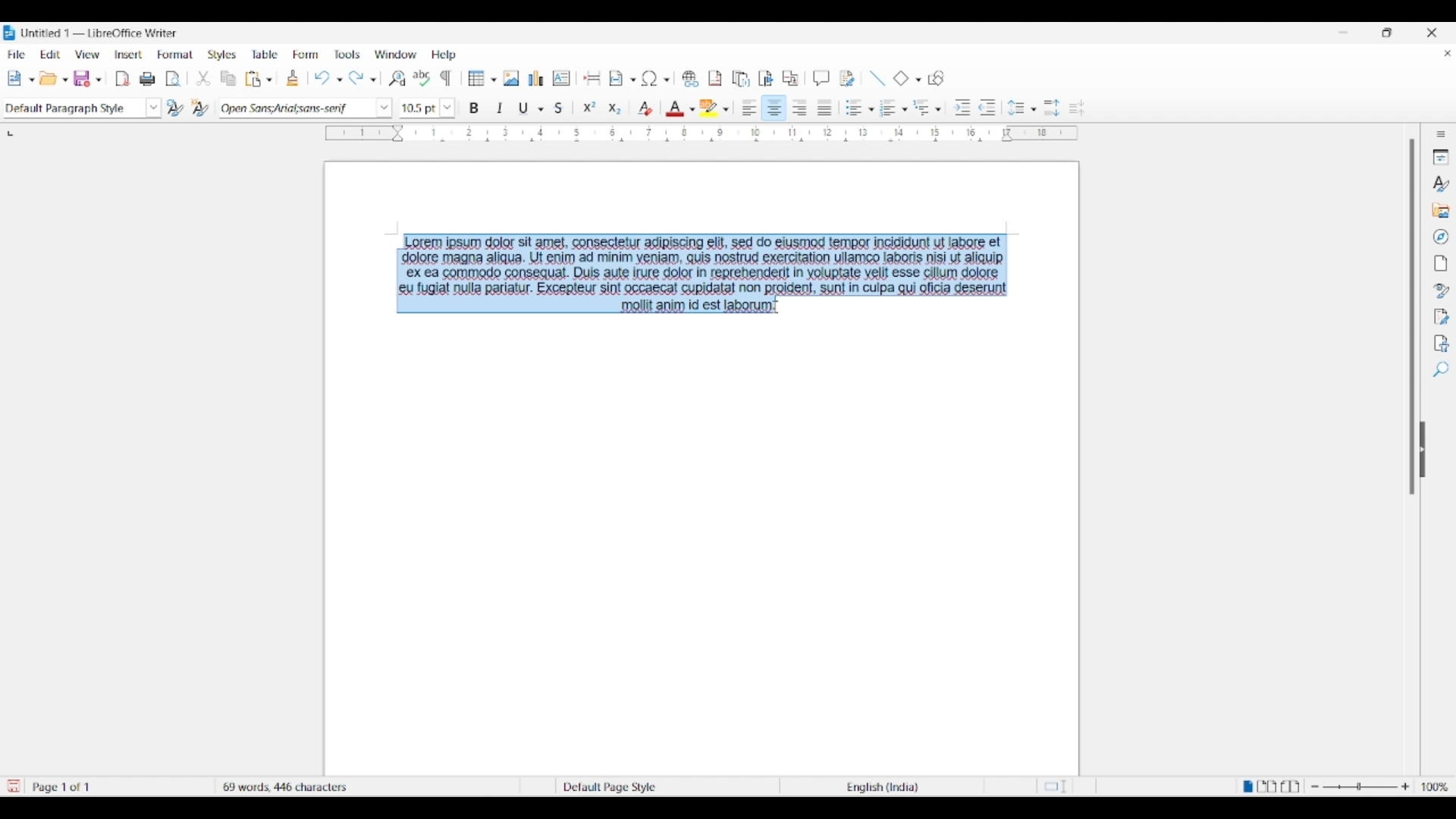 The image size is (1456, 819). Describe the element at coordinates (221, 55) in the screenshot. I see `Styles` at that location.